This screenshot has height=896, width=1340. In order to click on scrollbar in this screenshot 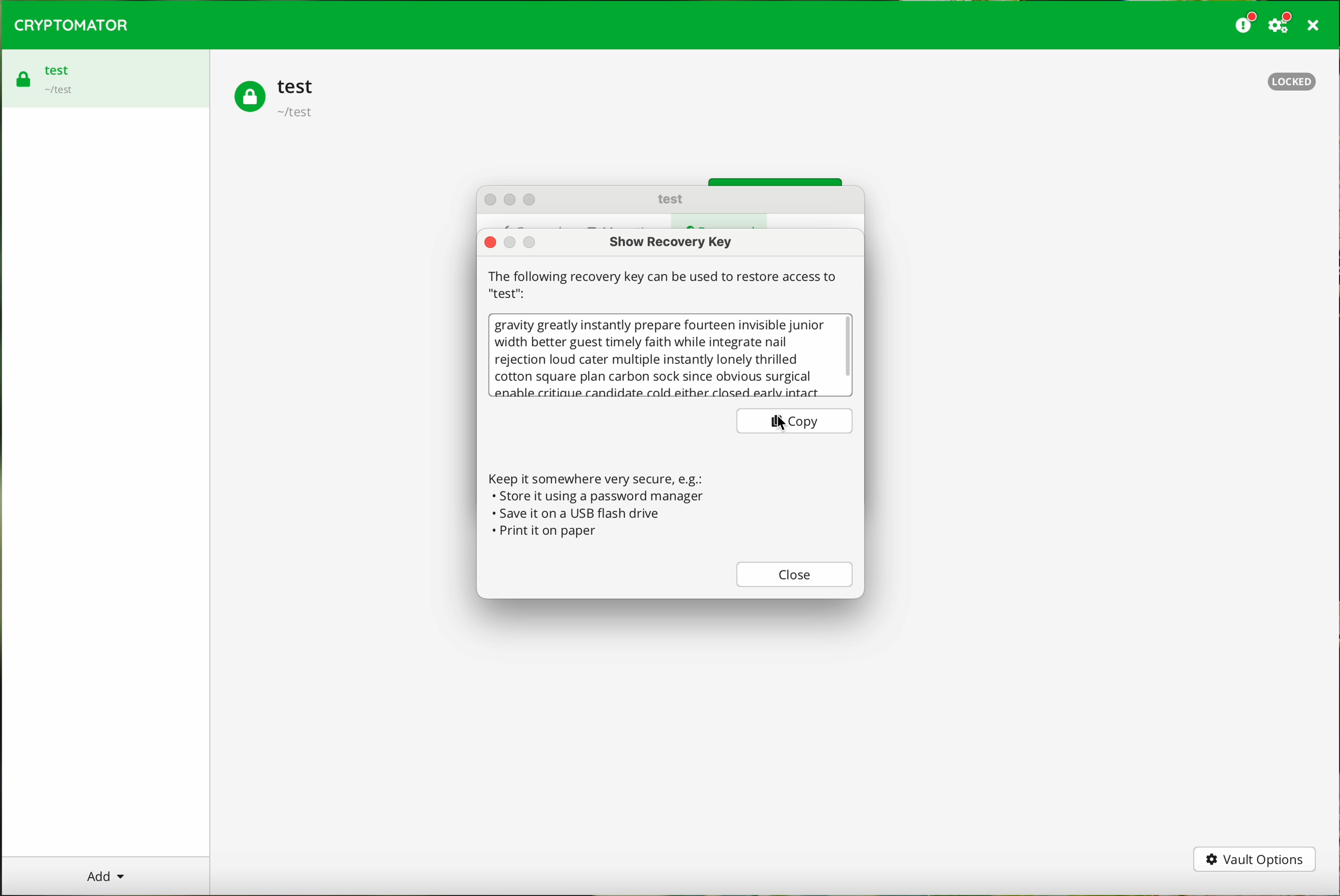, I will do `click(849, 355)`.